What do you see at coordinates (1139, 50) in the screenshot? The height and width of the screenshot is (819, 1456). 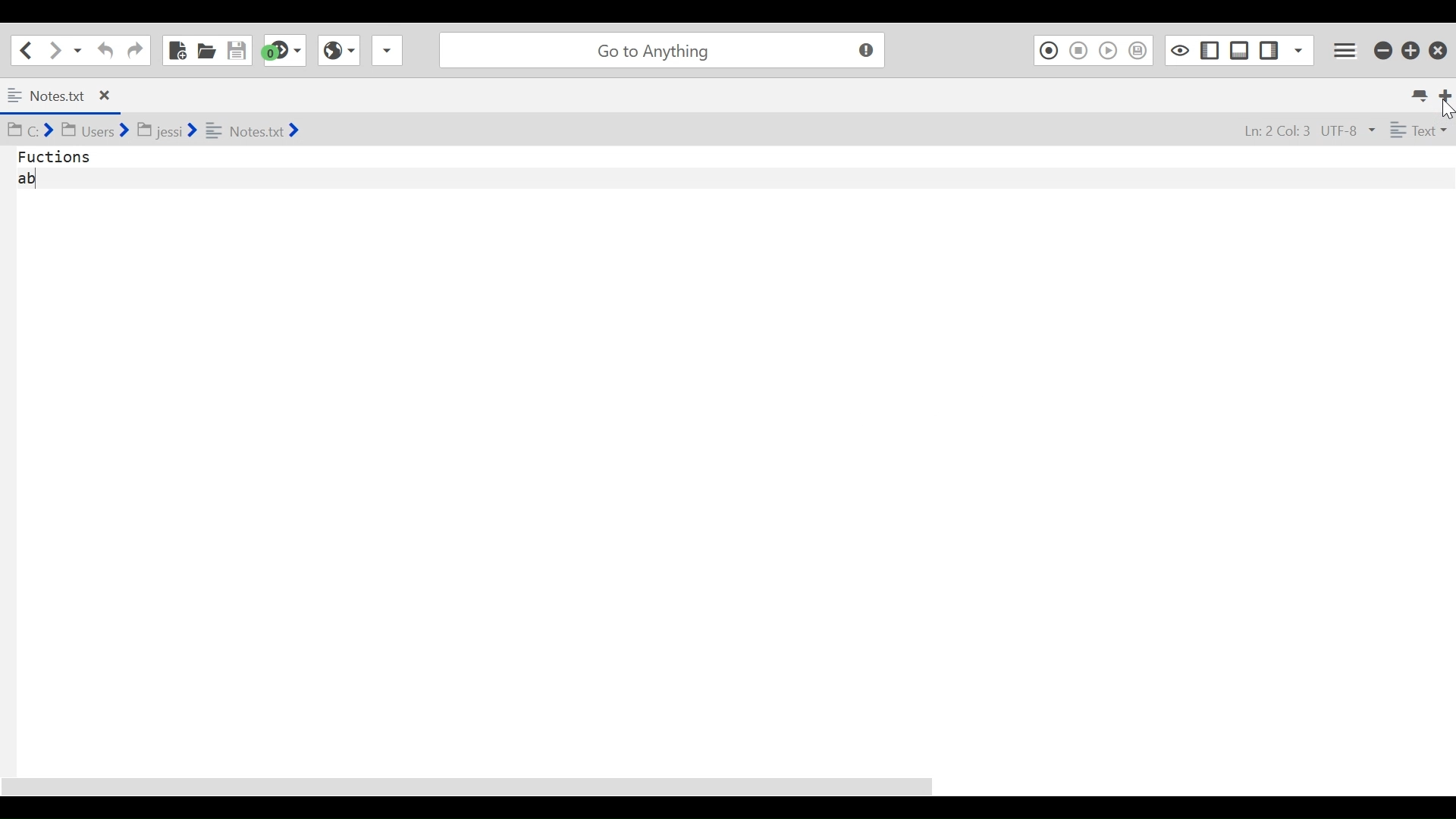 I see `Save Macro to Toolbox as Superscript` at bounding box center [1139, 50].